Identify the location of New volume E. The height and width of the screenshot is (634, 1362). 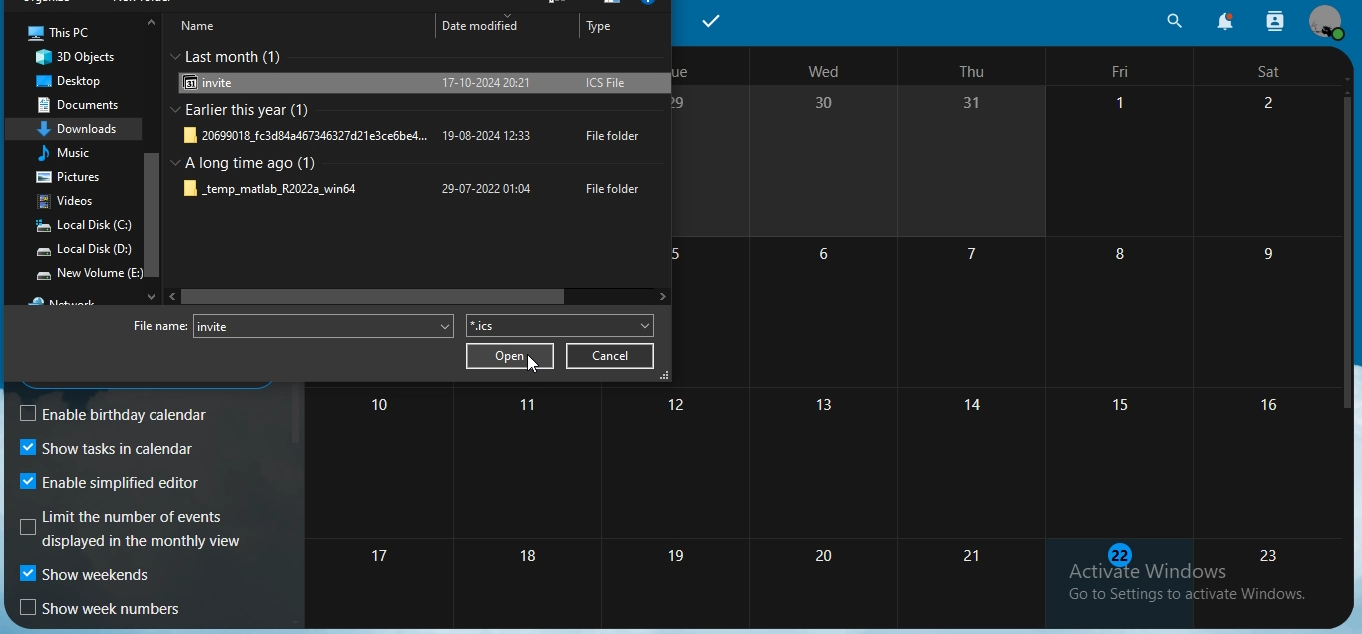
(89, 274).